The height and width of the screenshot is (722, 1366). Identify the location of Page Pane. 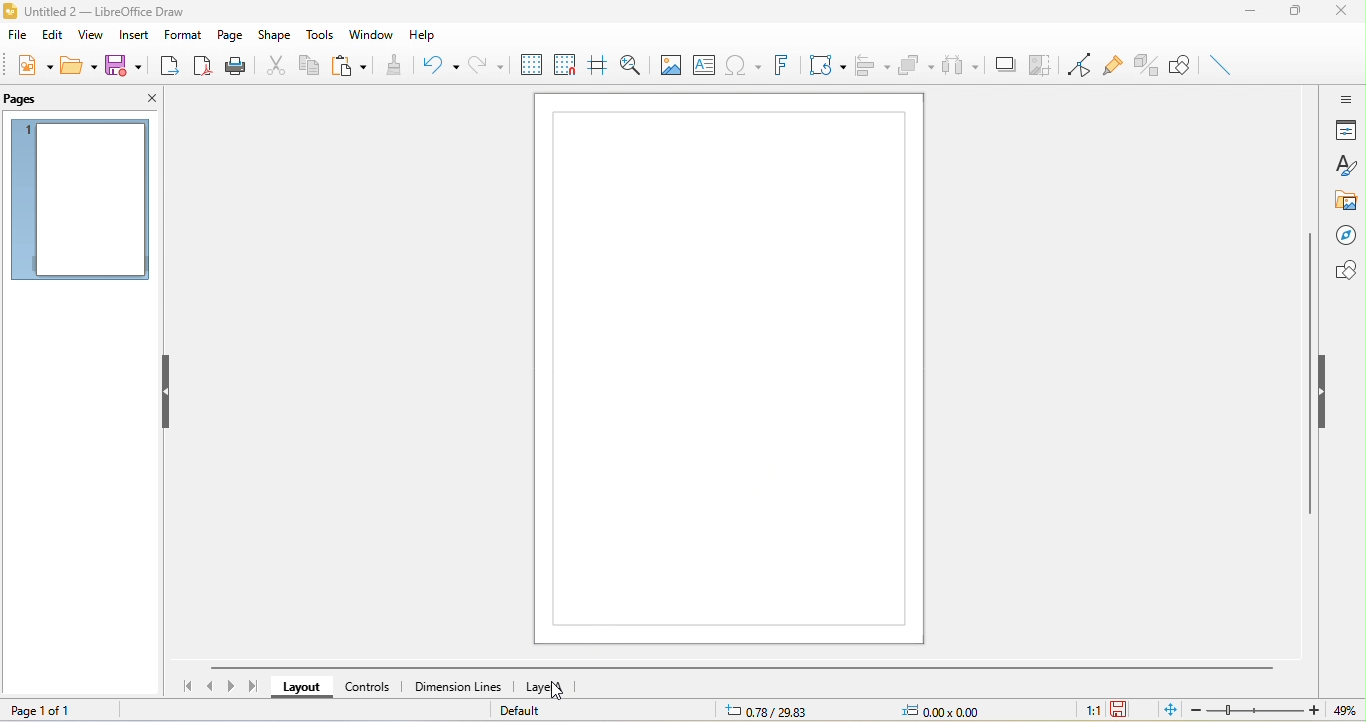
(1147, 65).